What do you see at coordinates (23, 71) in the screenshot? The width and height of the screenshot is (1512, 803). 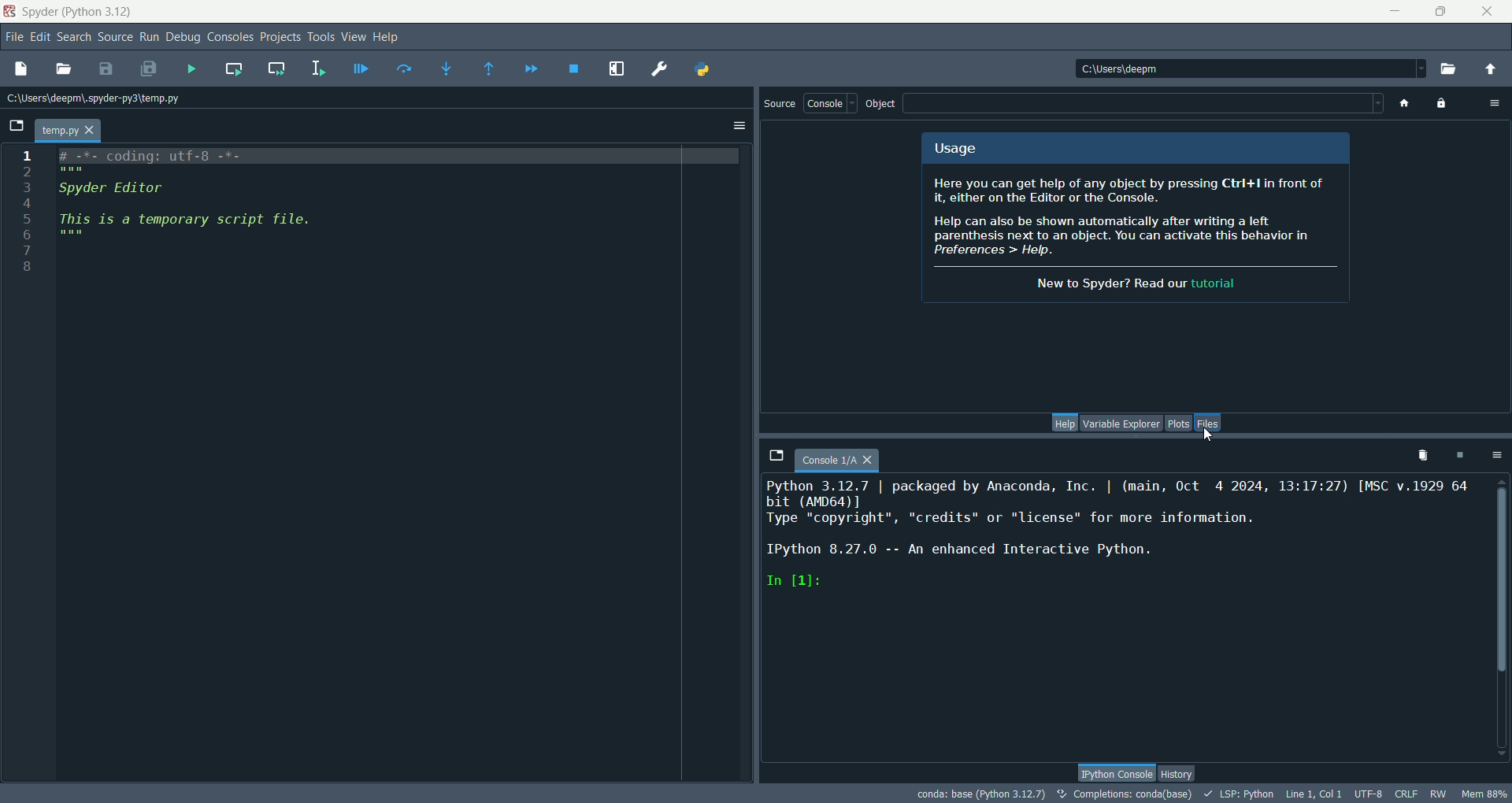 I see `new` at bounding box center [23, 71].